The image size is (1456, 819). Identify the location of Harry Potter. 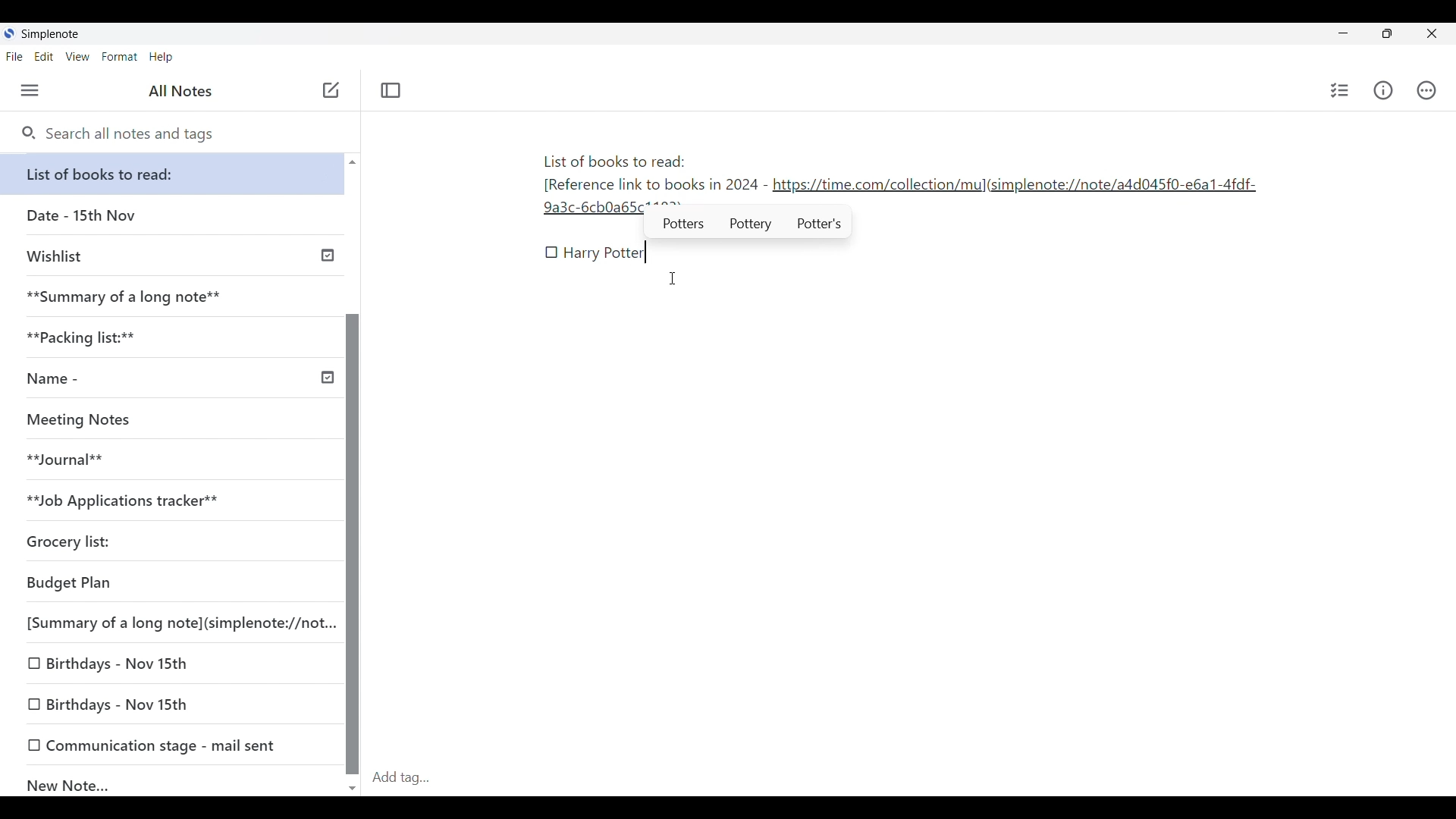
(605, 254).